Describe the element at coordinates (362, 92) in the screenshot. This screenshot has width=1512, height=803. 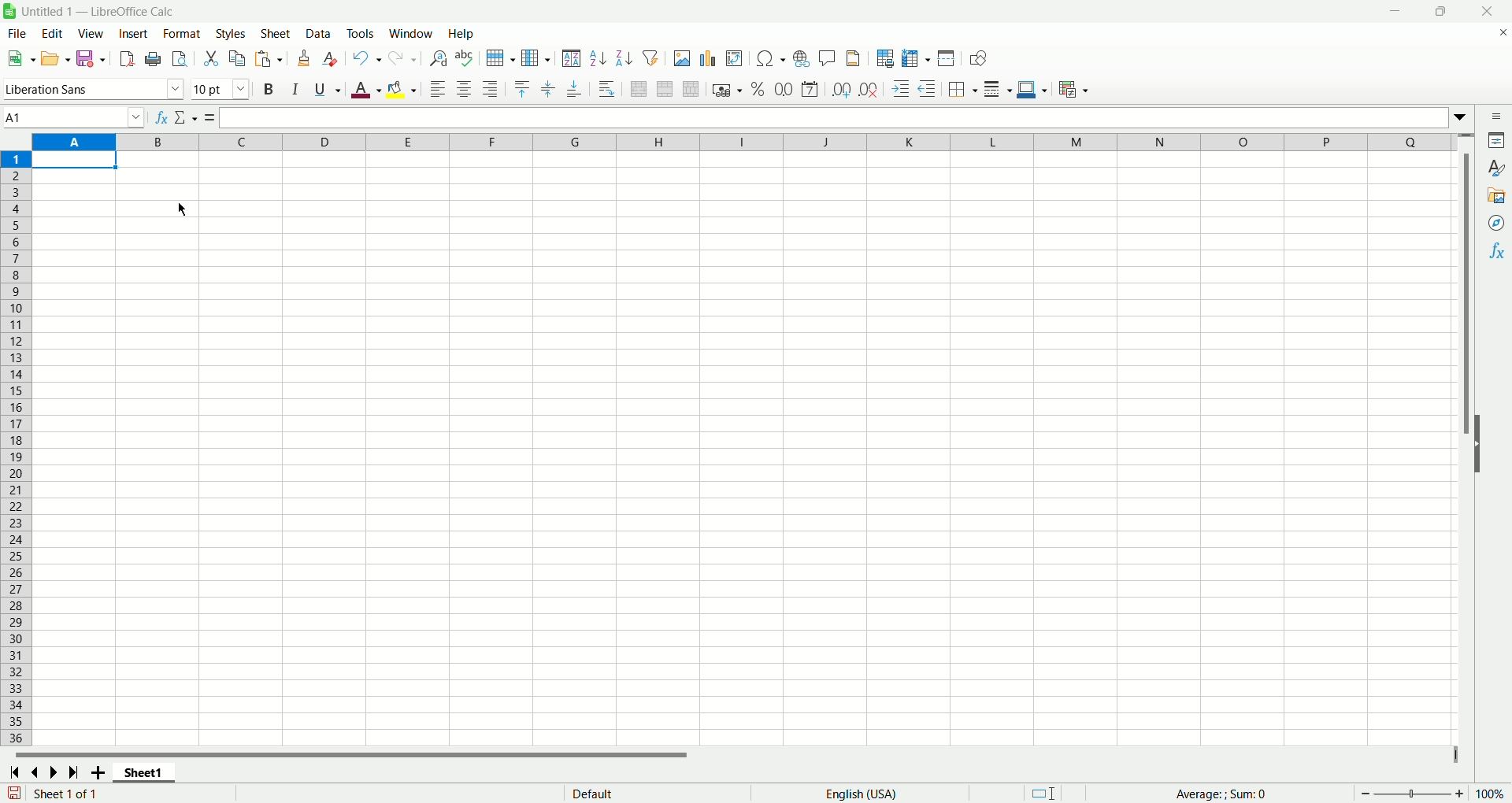
I see `text color` at that location.